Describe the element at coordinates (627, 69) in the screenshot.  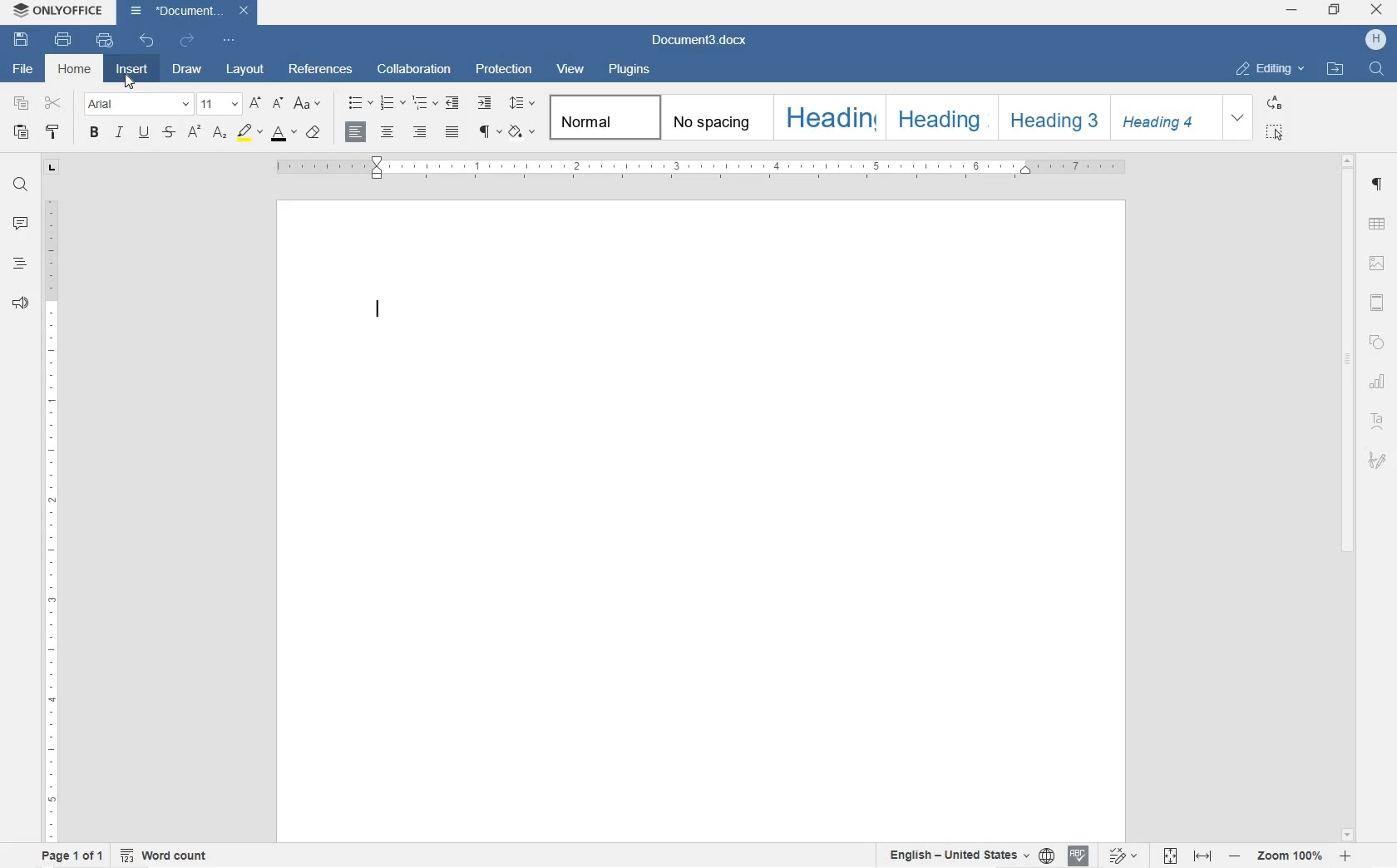
I see `PLUGINS` at that location.